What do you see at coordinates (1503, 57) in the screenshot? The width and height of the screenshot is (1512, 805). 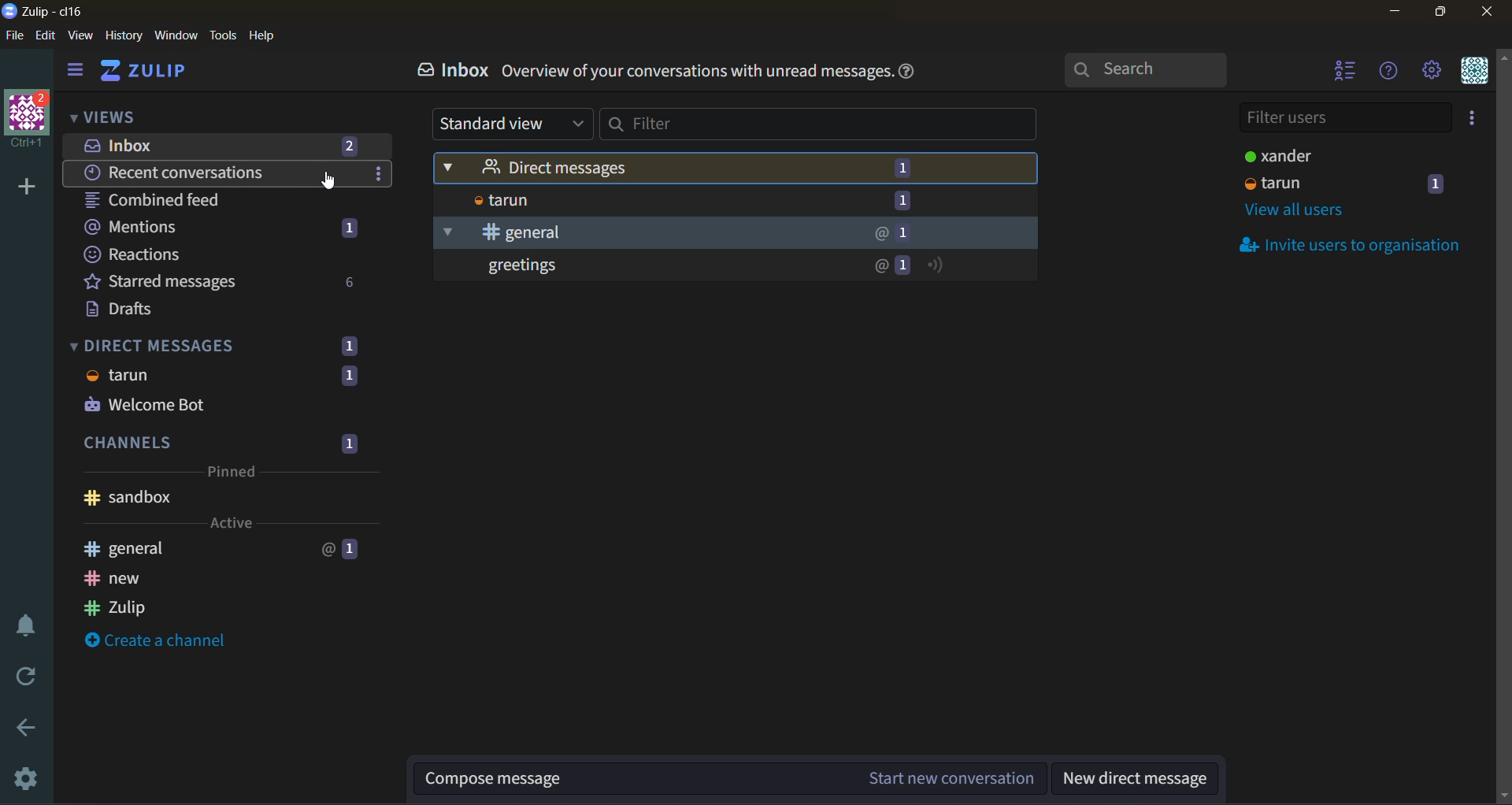 I see `scroll up` at bounding box center [1503, 57].